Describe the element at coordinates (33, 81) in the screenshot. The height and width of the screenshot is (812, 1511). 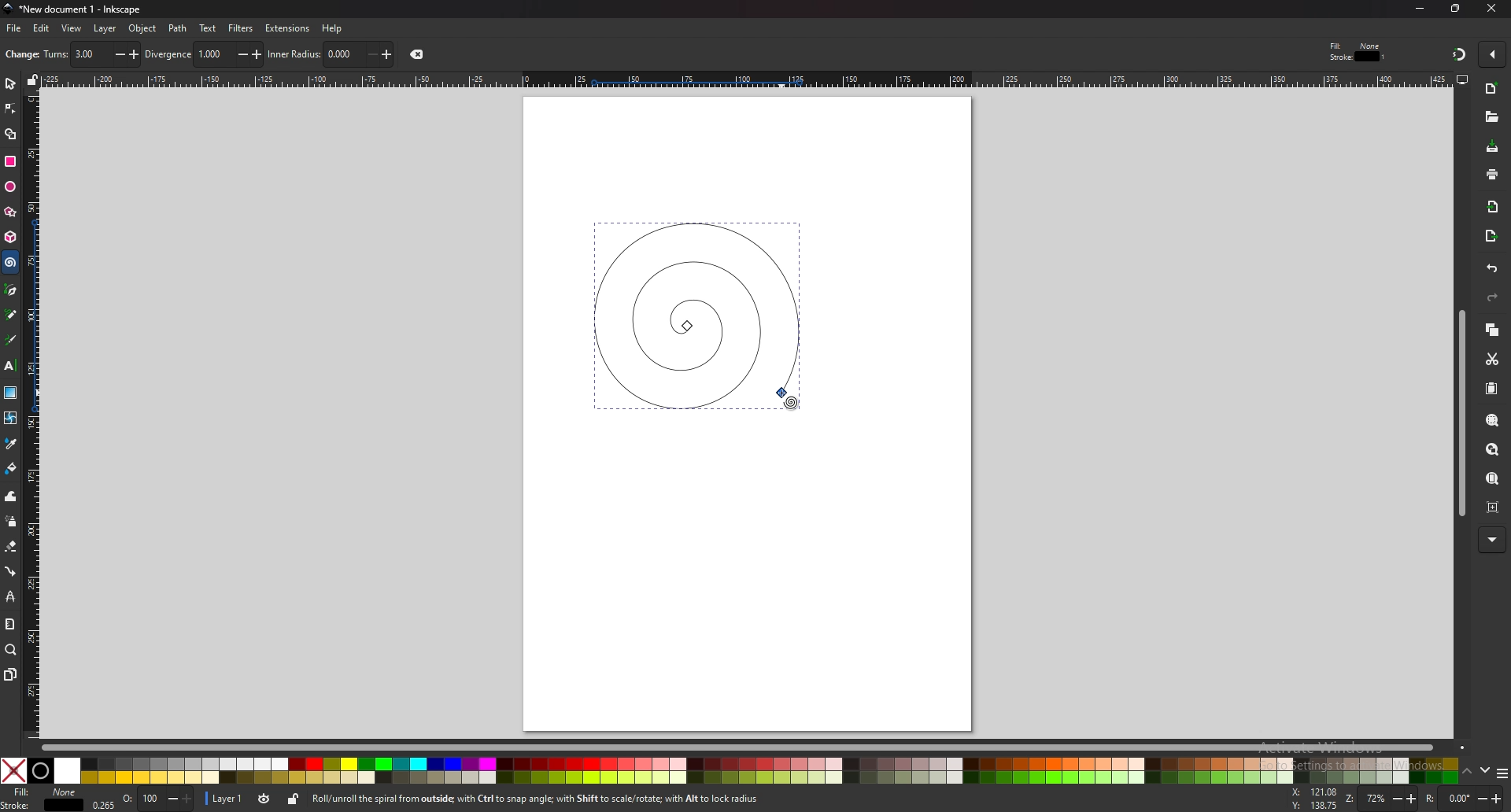
I see `lock guides` at that location.